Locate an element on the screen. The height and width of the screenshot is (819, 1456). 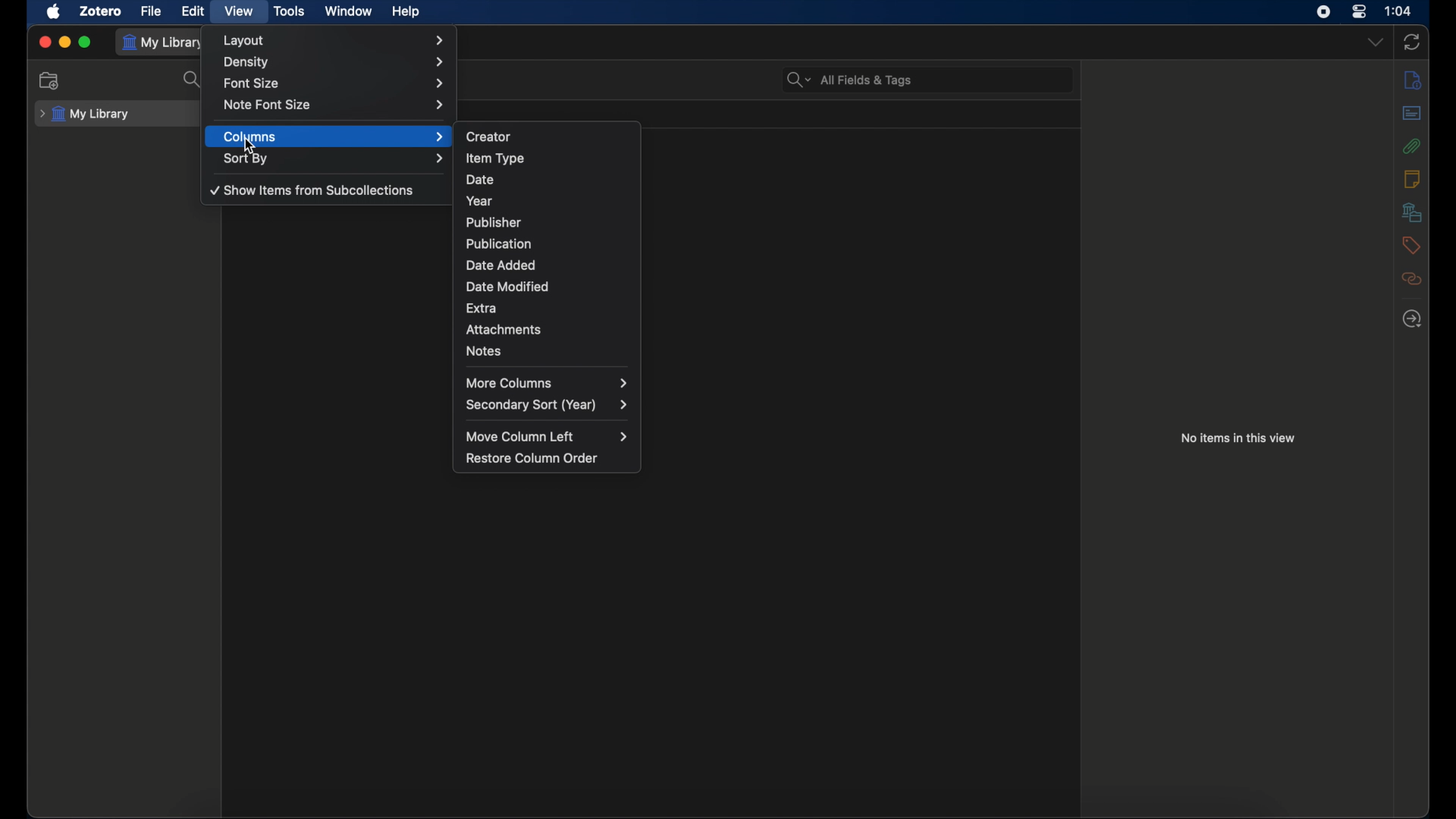
my library is located at coordinates (165, 42).